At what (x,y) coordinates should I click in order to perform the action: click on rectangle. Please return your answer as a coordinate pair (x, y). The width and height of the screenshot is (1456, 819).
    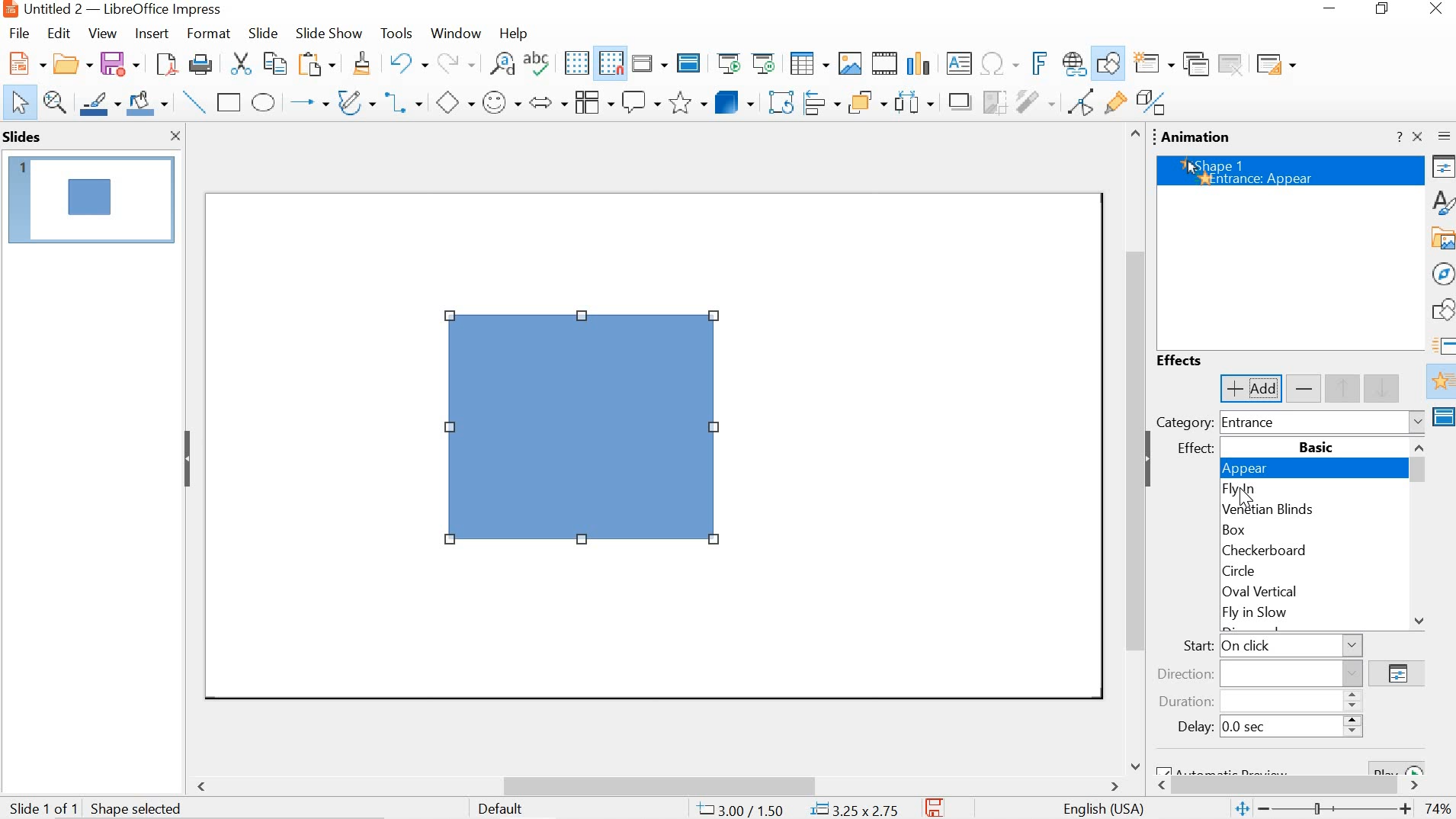
    Looking at the image, I should click on (230, 103).